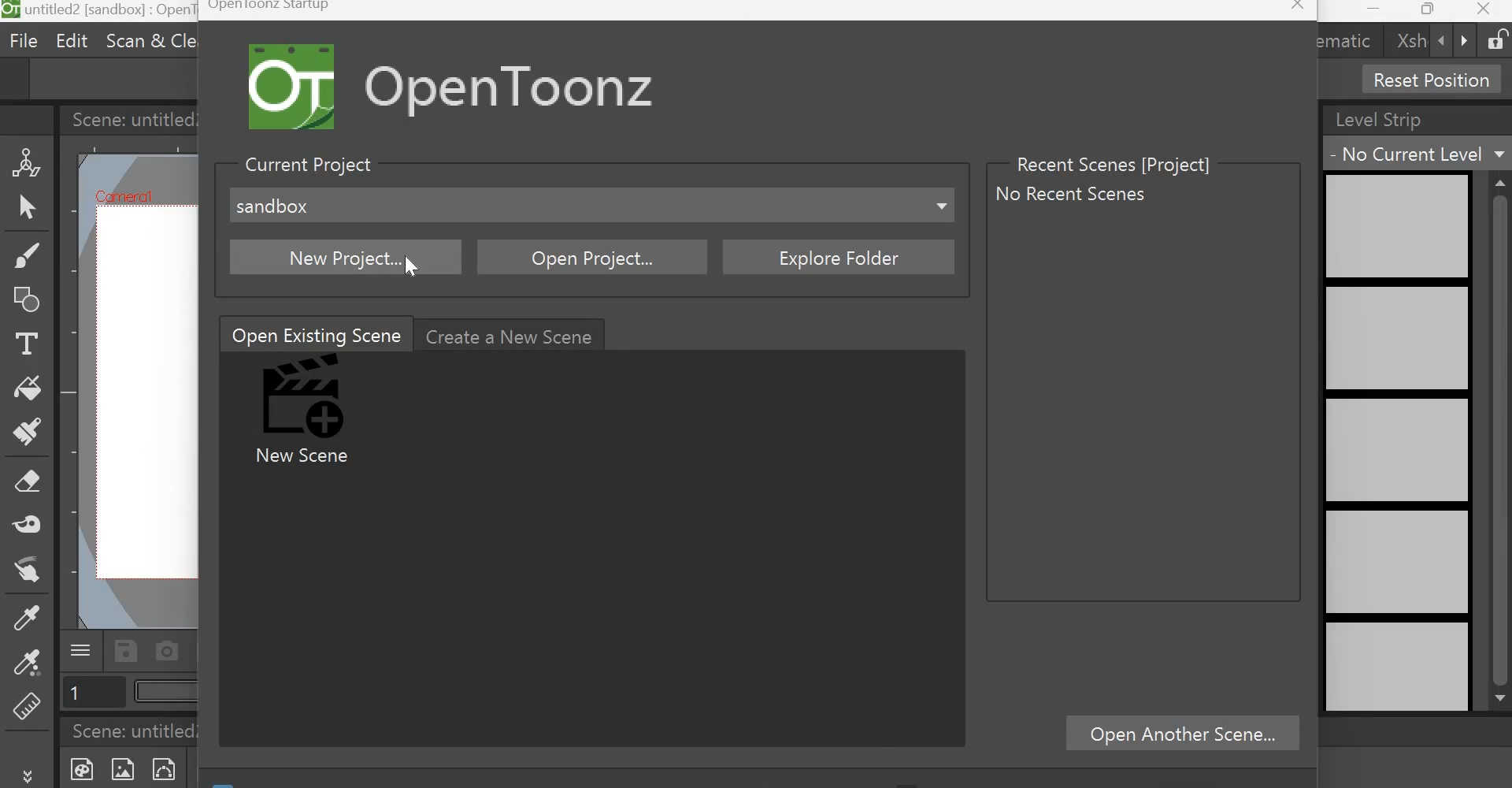  What do you see at coordinates (27, 208) in the screenshot?
I see `Selection Tool` at bounding box center [27, 208].